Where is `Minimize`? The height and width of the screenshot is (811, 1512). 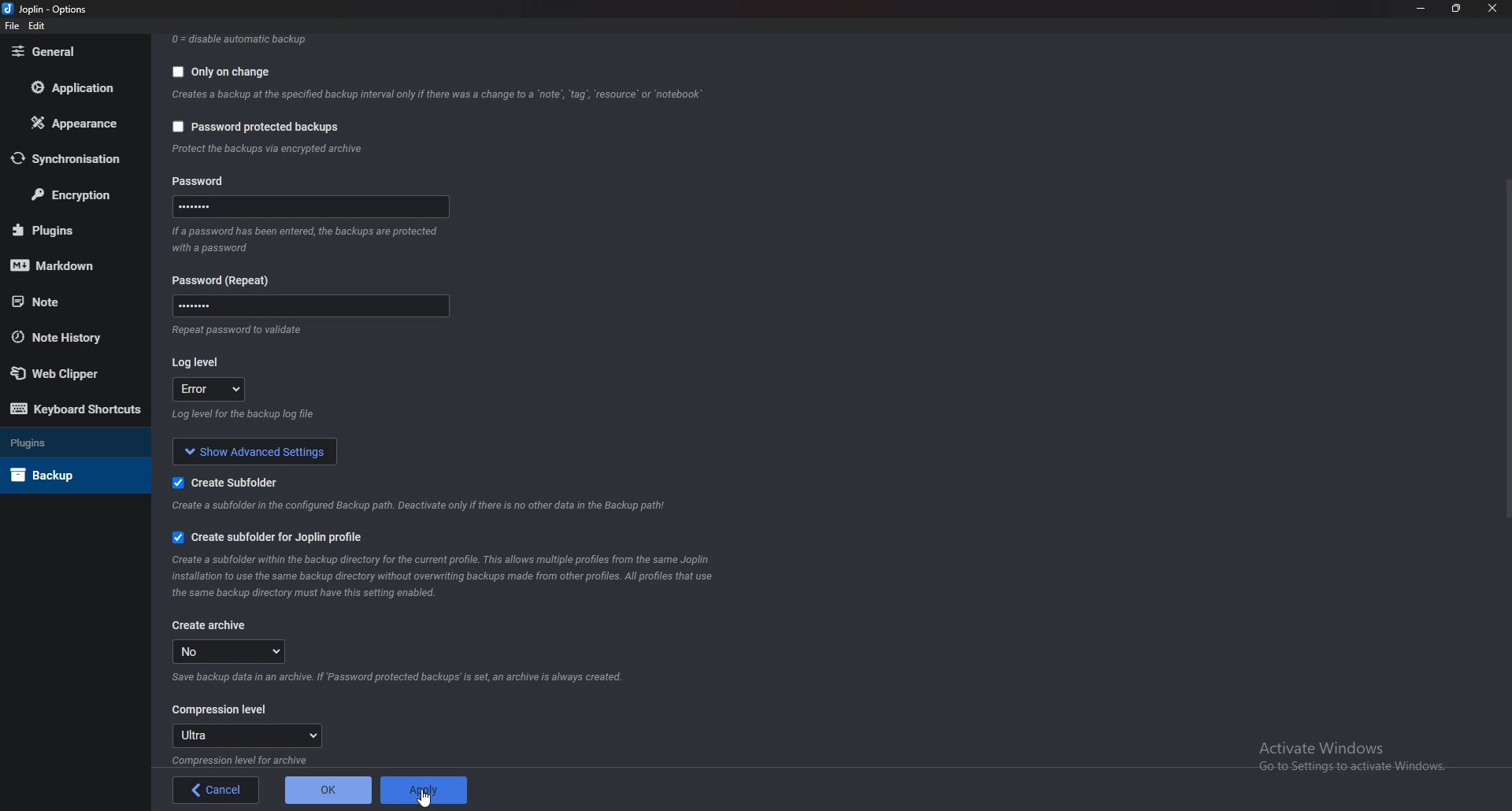
Minimize is located at coordinates (1423, 8).